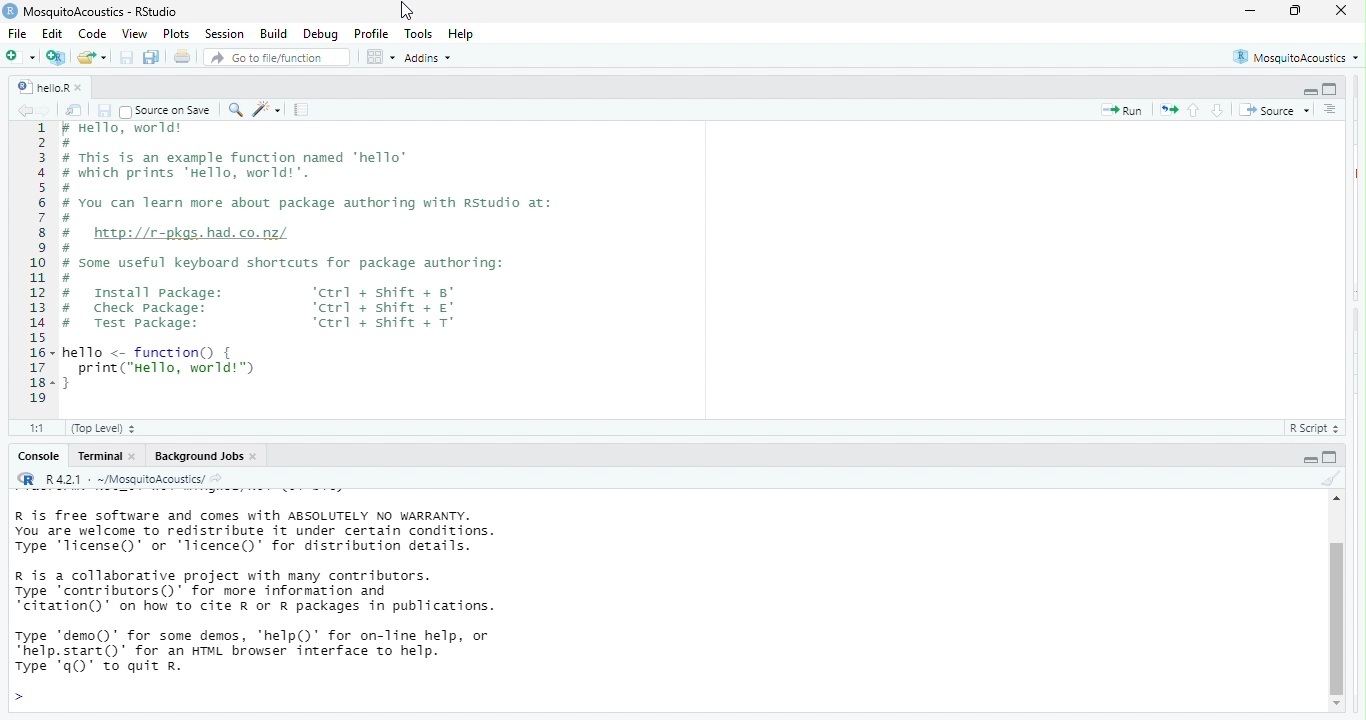 The width and height of the screenshot is (1366, 720). What do you see at coordinates (1250, 11) in the screenshot?
I see `minimize` at bounding box center [1250, 11].